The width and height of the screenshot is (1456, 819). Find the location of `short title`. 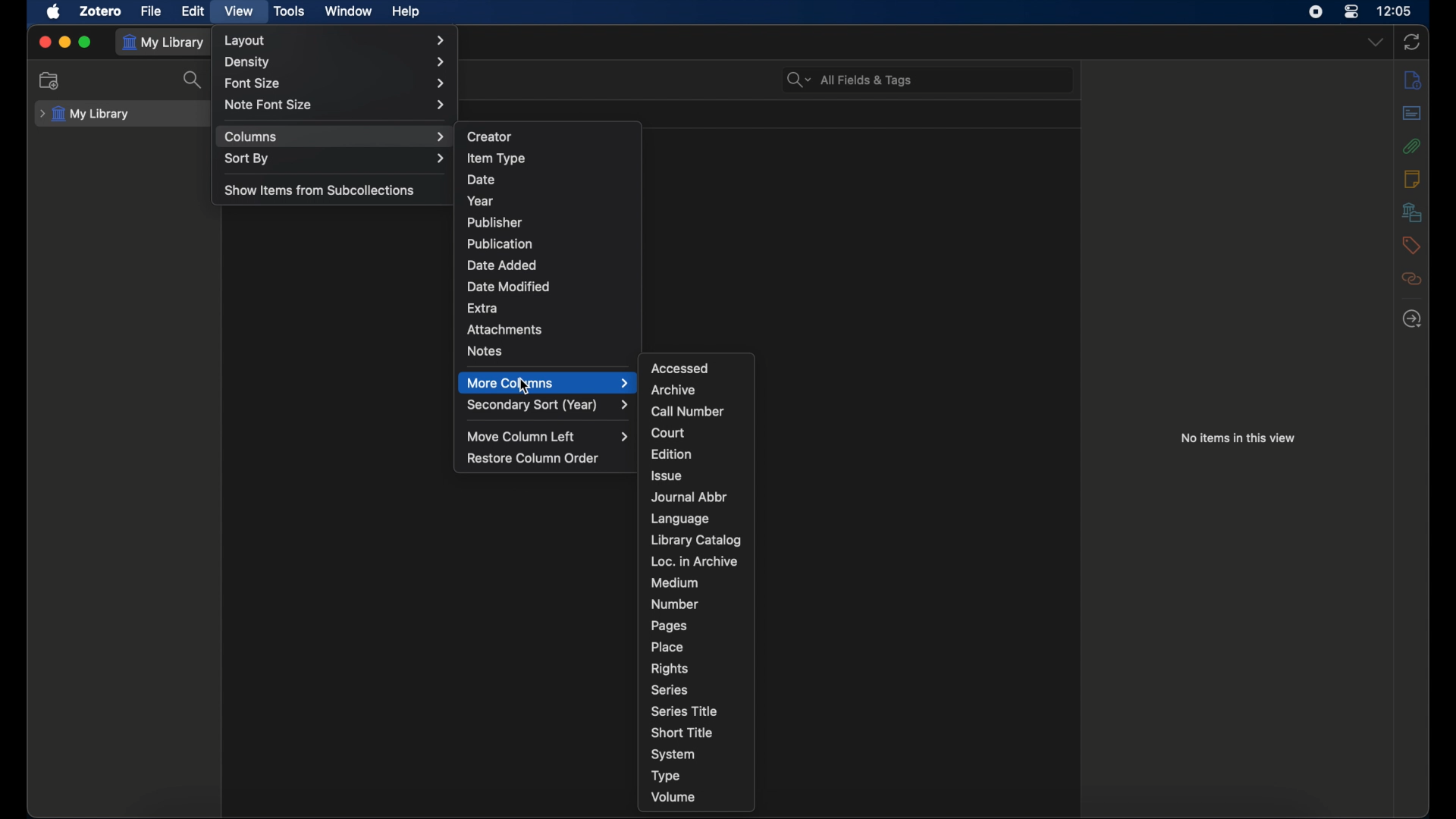

short title is located at coordinates (682, 733).